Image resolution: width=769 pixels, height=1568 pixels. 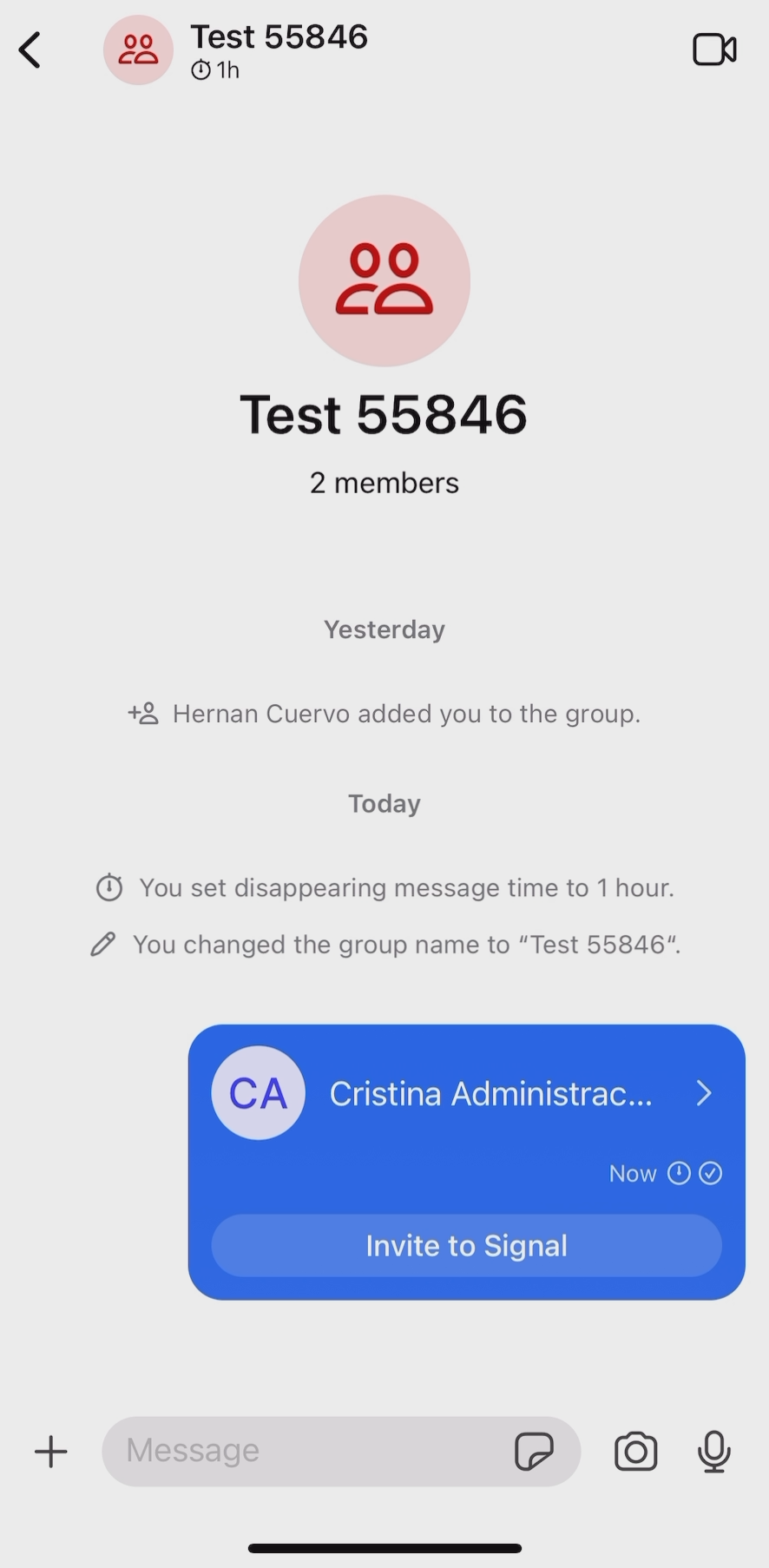 I want to click on contact card sent on the chat group, so click(x=468, y=1162).